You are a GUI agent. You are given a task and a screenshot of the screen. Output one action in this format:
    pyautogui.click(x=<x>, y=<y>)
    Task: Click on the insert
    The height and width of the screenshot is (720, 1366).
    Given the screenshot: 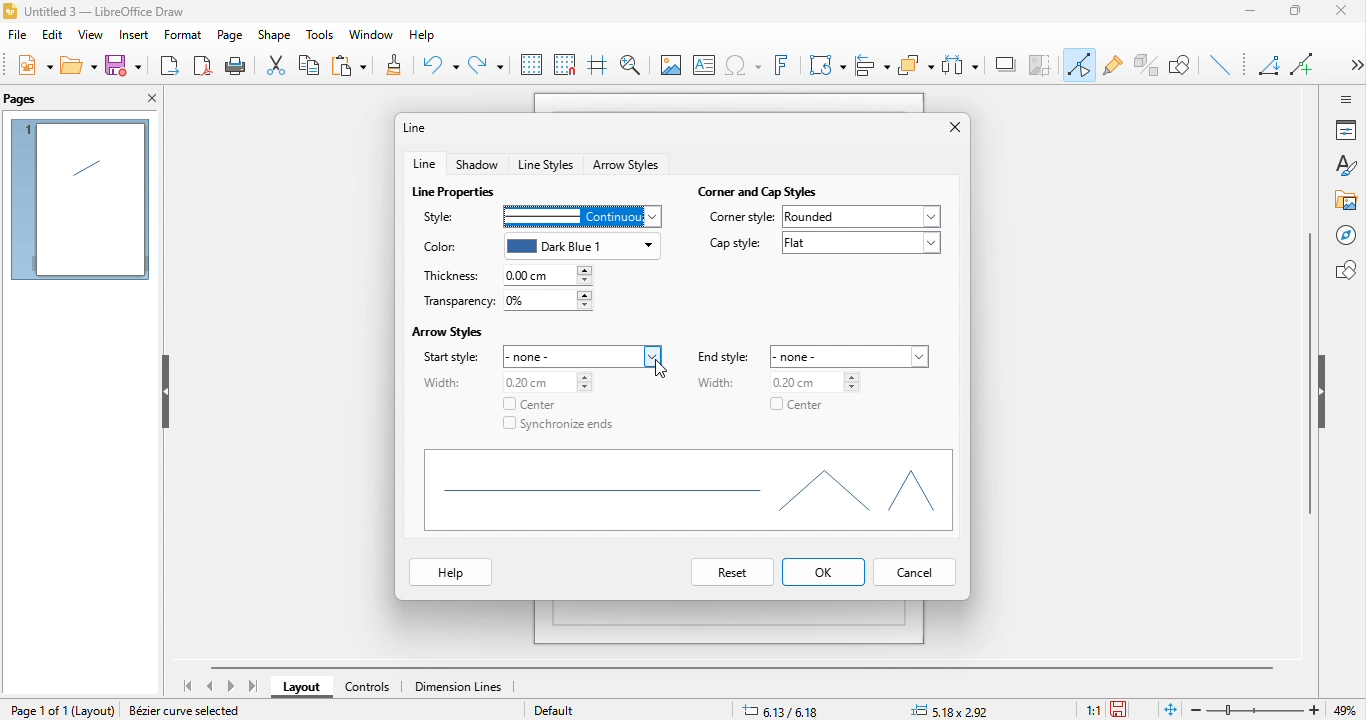 What is the action you would take?
    pyautogui.click(x=132, y=37)
    